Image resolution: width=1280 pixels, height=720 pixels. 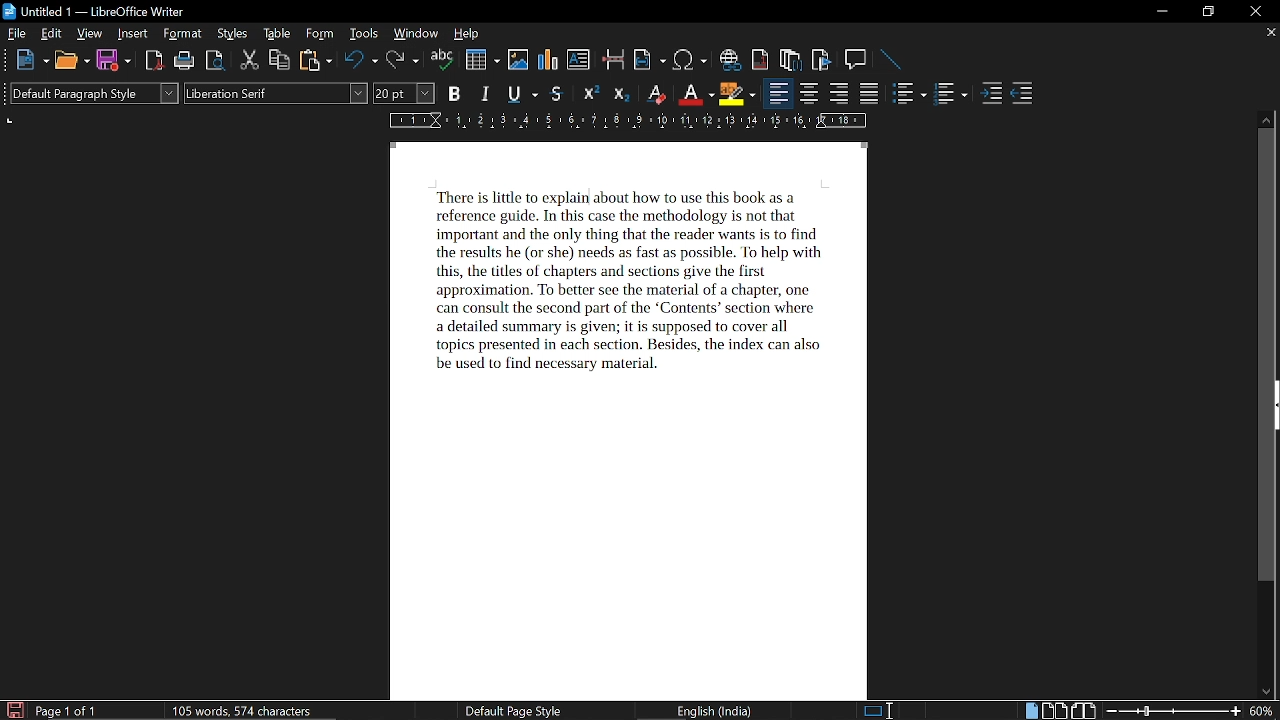 I want to click on insert, so click(x=134, y=35).